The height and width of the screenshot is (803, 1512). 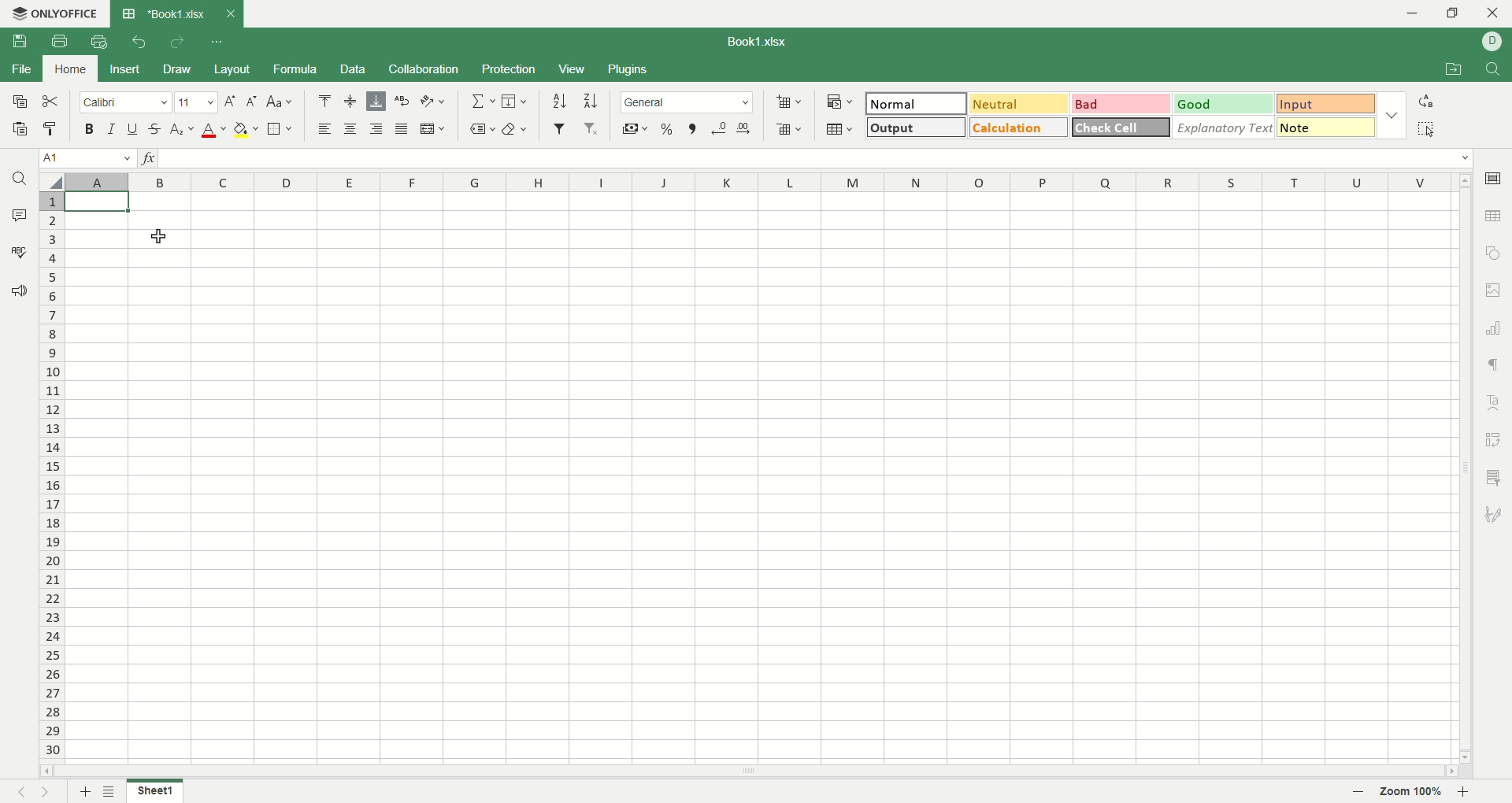 What do you see at coordinates (1122, 105) in the screenshot?
I see `bad` at bounding box center [1122, 105].